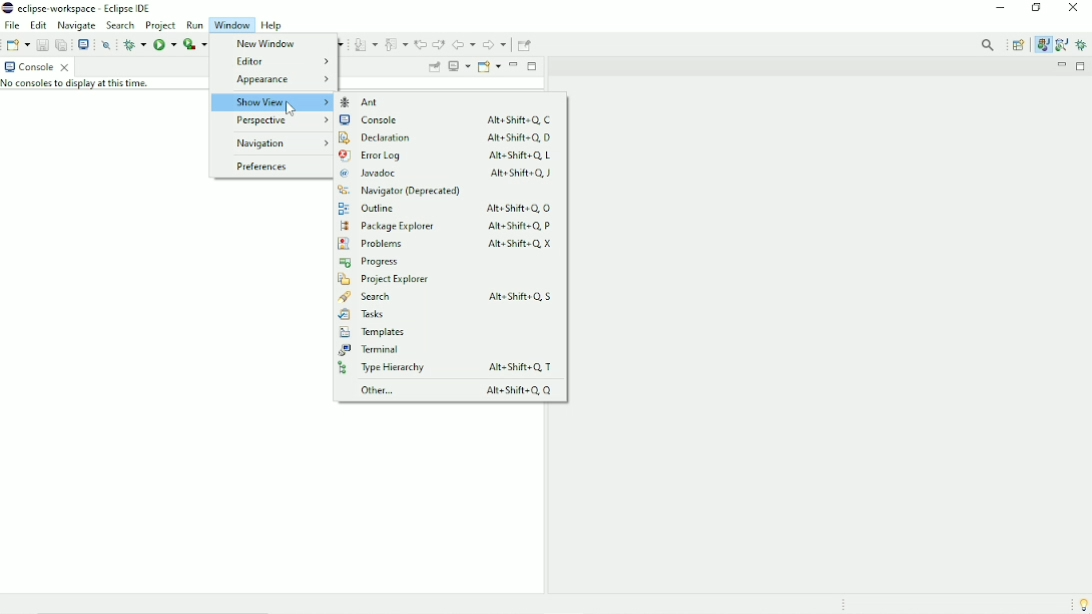 The width and height of the screenshot is (1092, 614). What do you see at coordinates (438, 44) in the screenshot?
I see `Next edit location` at bounding box center [438, 44].